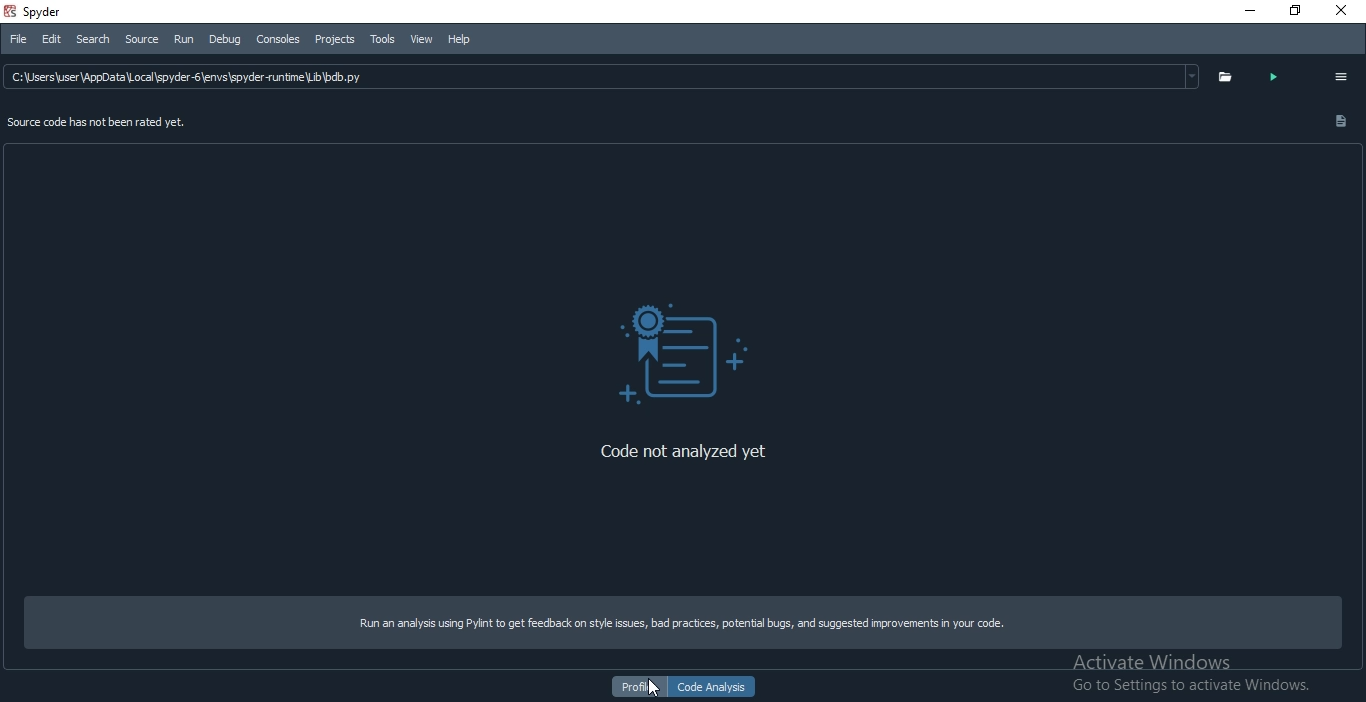  Describe the element at coordinates (660, 689) in the screenshot. I see `cursor on profile` at that location.